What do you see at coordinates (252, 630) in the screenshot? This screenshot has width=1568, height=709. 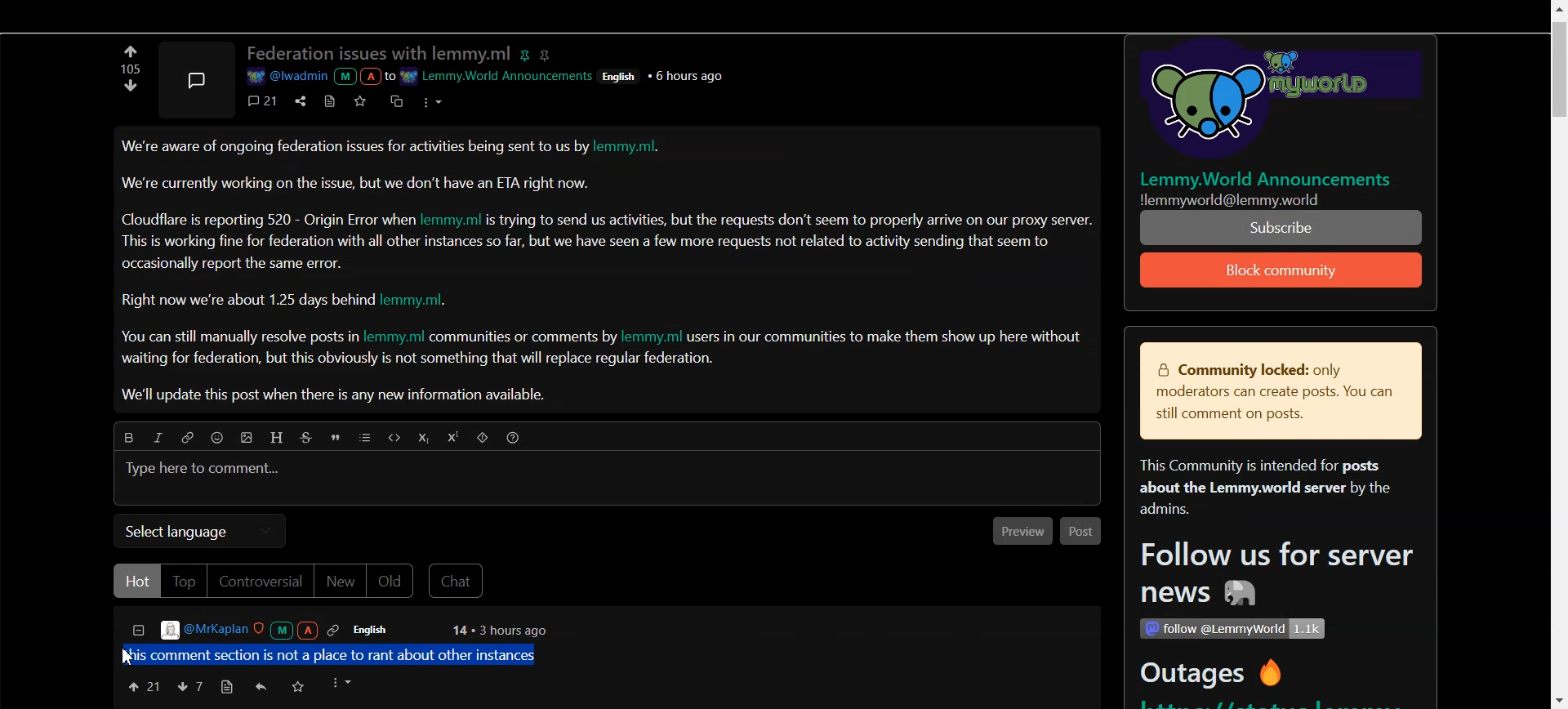 I see `@MrKaplan` at bounding box center [252, 630].